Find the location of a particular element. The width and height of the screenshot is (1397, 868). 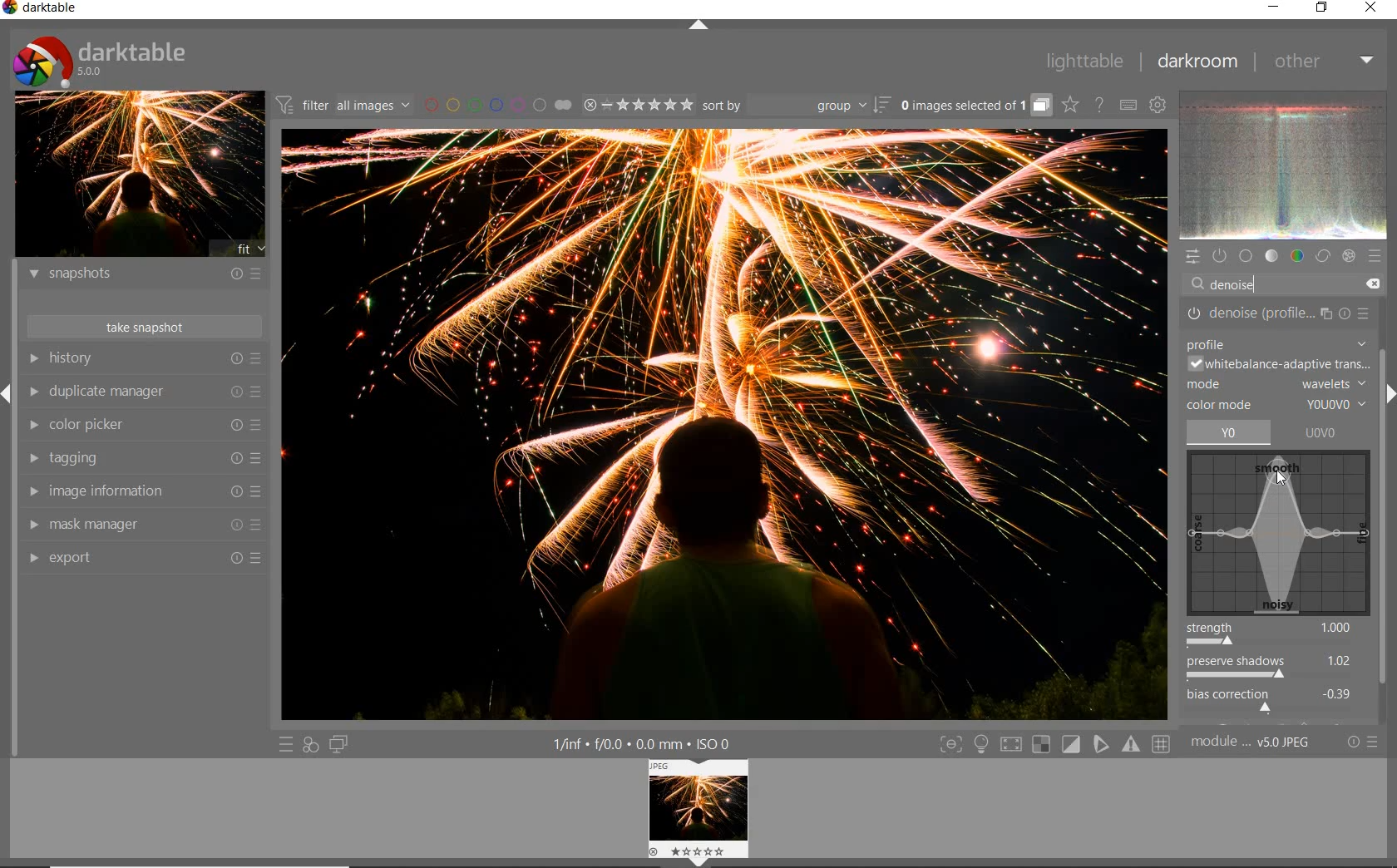

strength is located at coordinates (1276, 635).